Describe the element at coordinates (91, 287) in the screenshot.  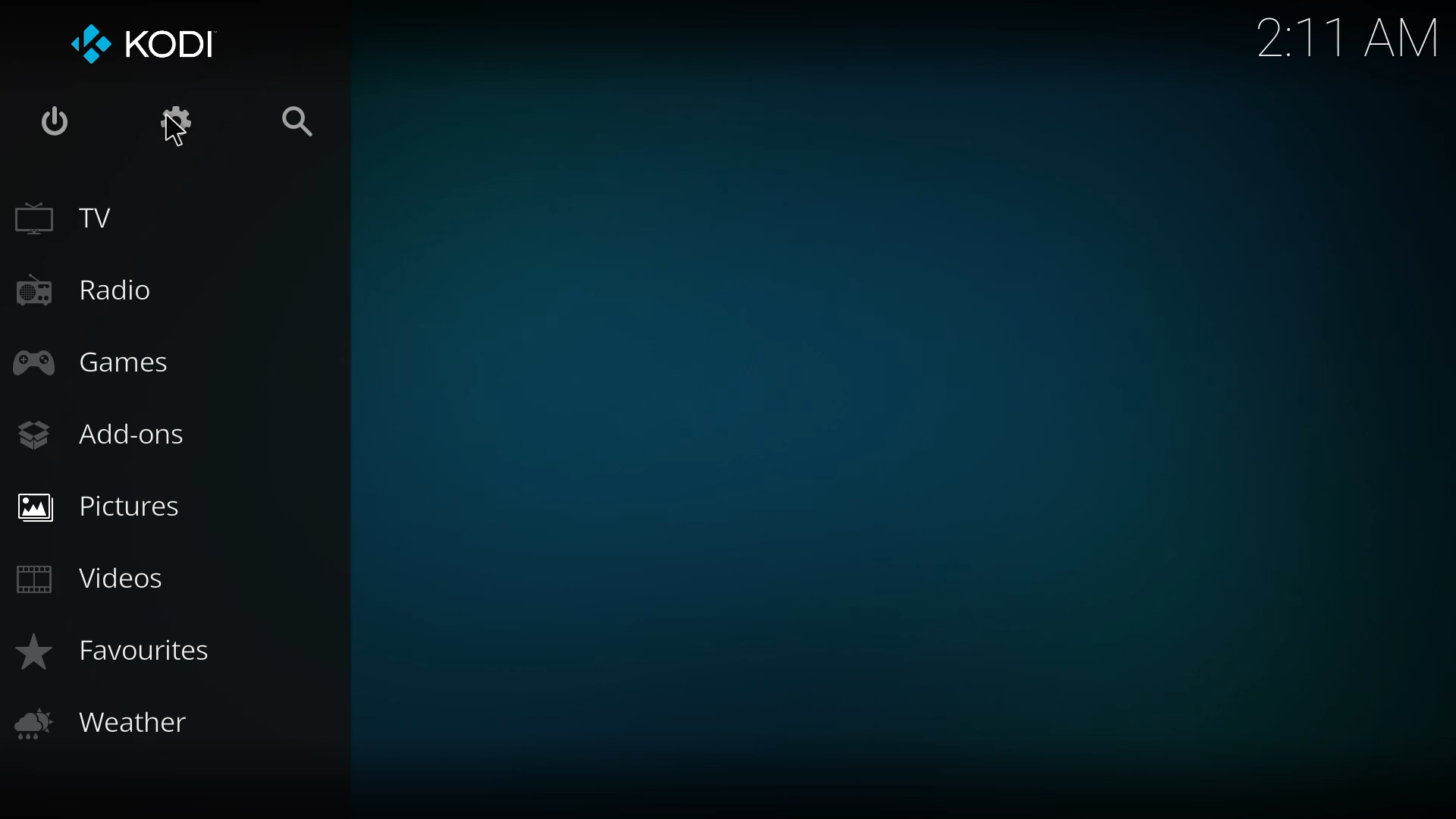
I see `radio` at that location.